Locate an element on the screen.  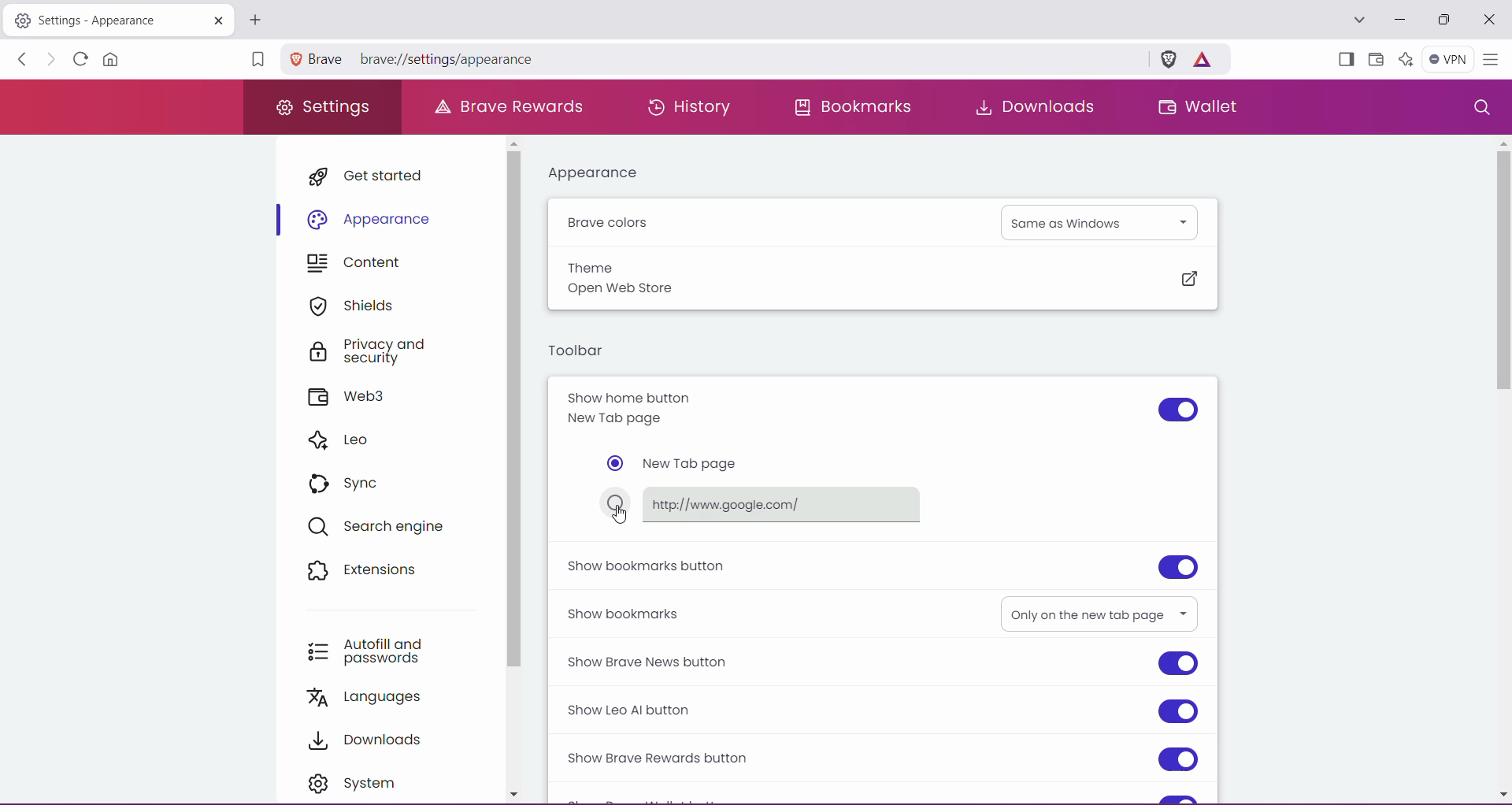
Privacy and security is located at coordinates (384, 352).